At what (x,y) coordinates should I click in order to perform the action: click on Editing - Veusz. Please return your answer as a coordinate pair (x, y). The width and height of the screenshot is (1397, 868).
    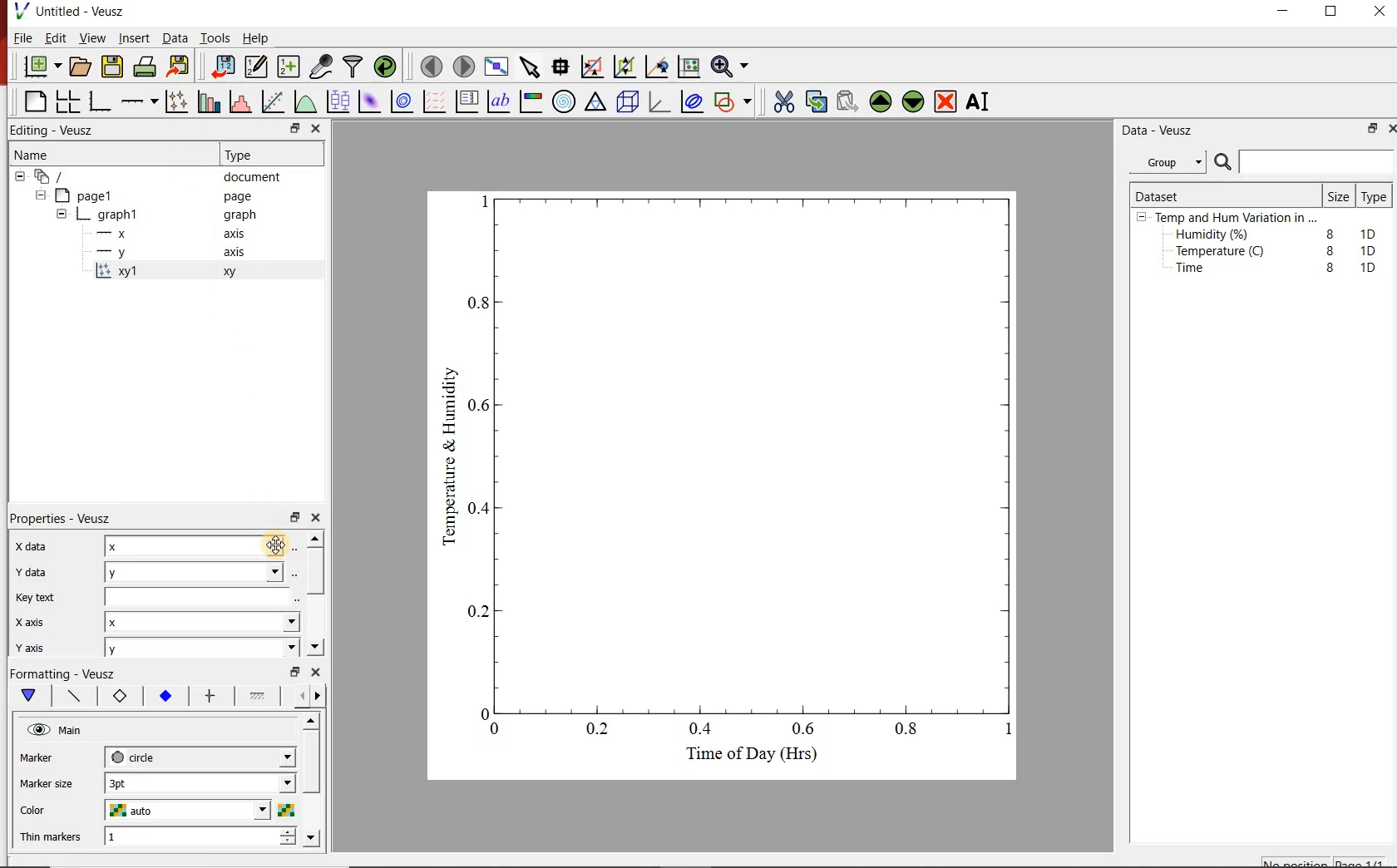
    Looking at the image, I should click on (57, 130).